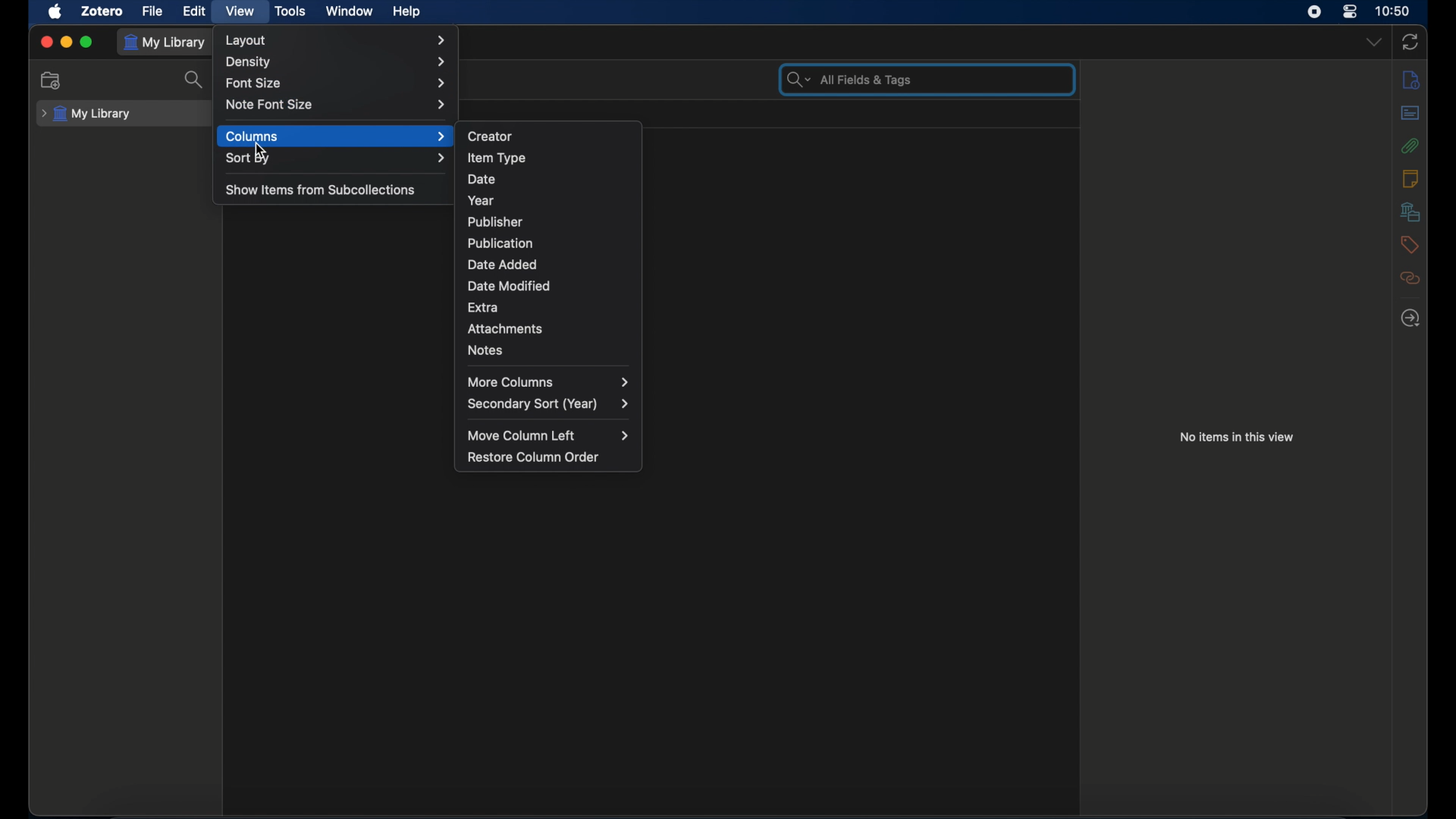  What do you see at coordinates (290, 12) in the screenshot?
I see `tools` at bounding box center [290, 12].